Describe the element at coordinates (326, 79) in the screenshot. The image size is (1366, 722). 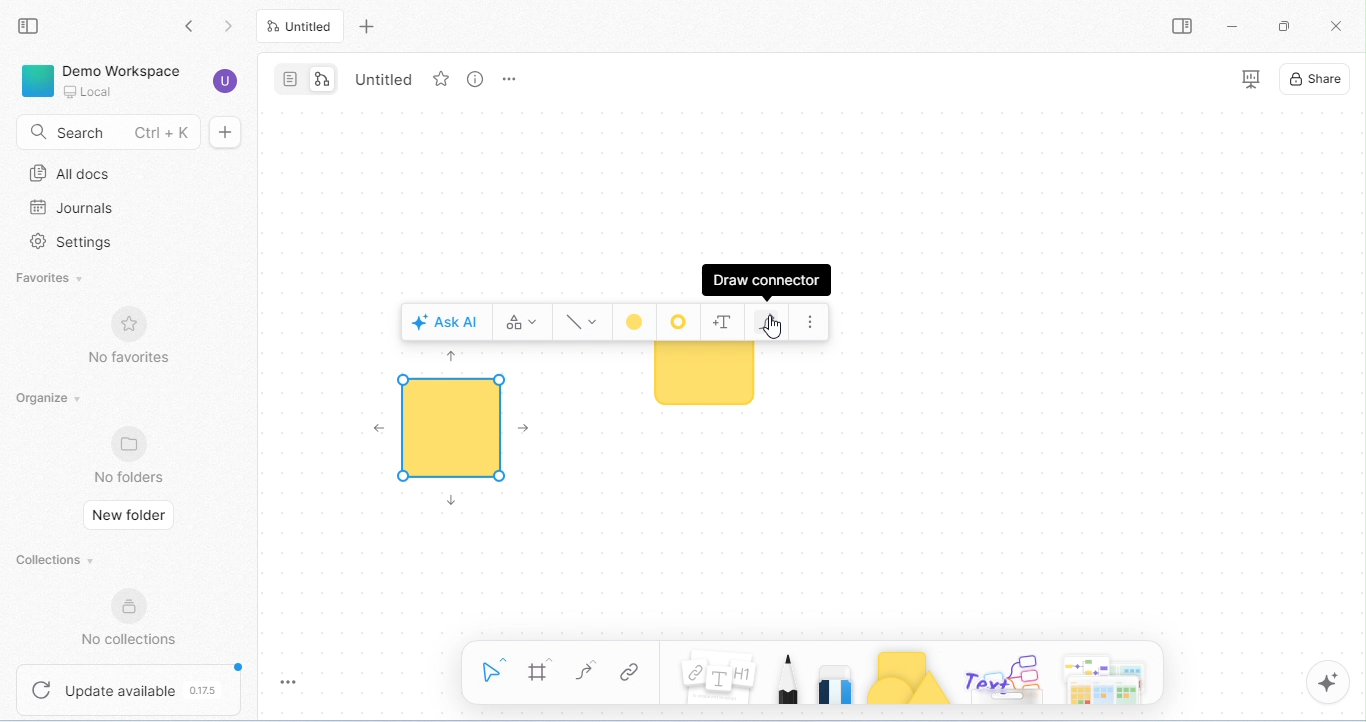
I see `edgeless mode` at that location.